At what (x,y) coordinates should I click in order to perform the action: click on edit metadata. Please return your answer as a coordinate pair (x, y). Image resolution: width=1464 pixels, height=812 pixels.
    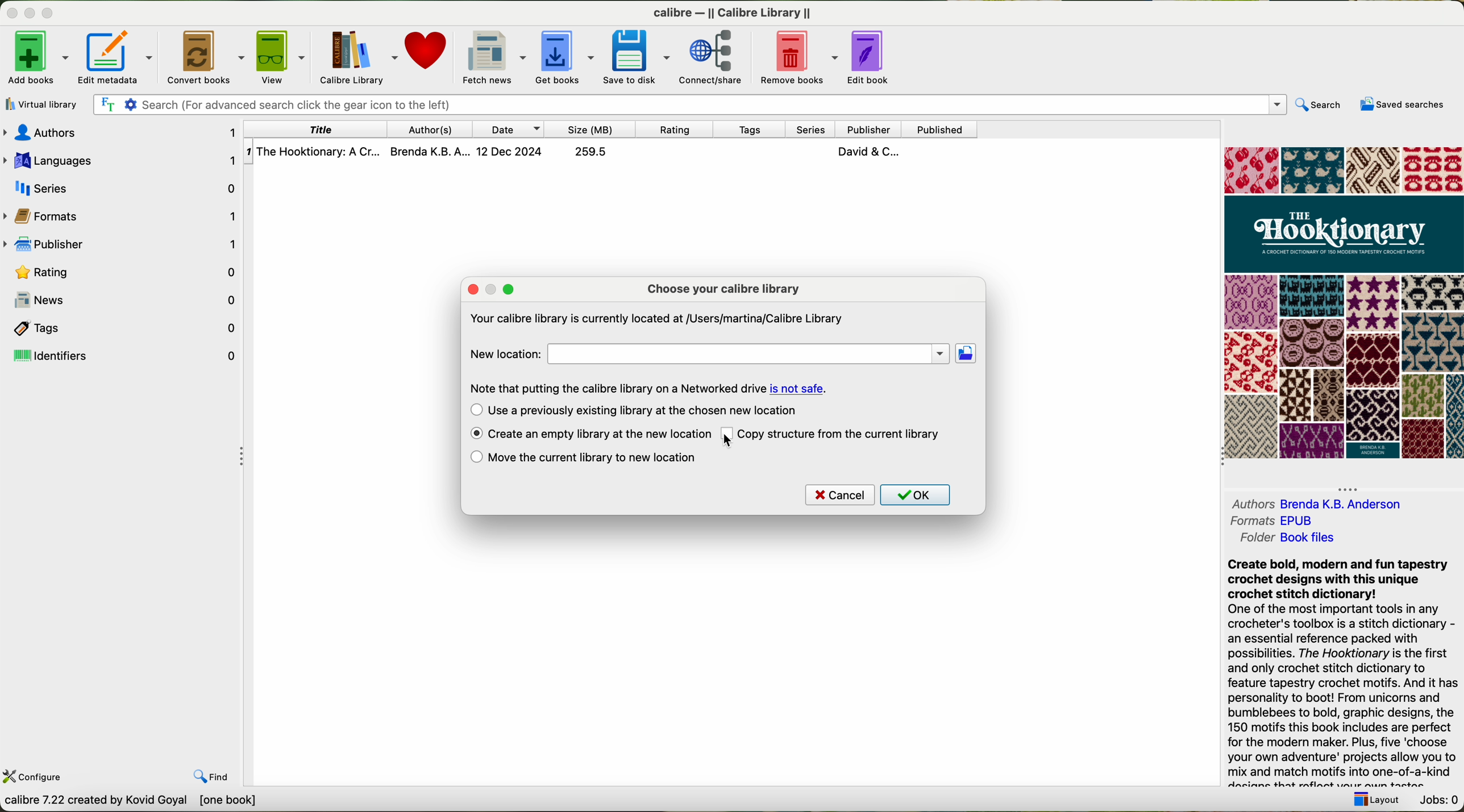
    Looking at the image, I should click on (116, 57).